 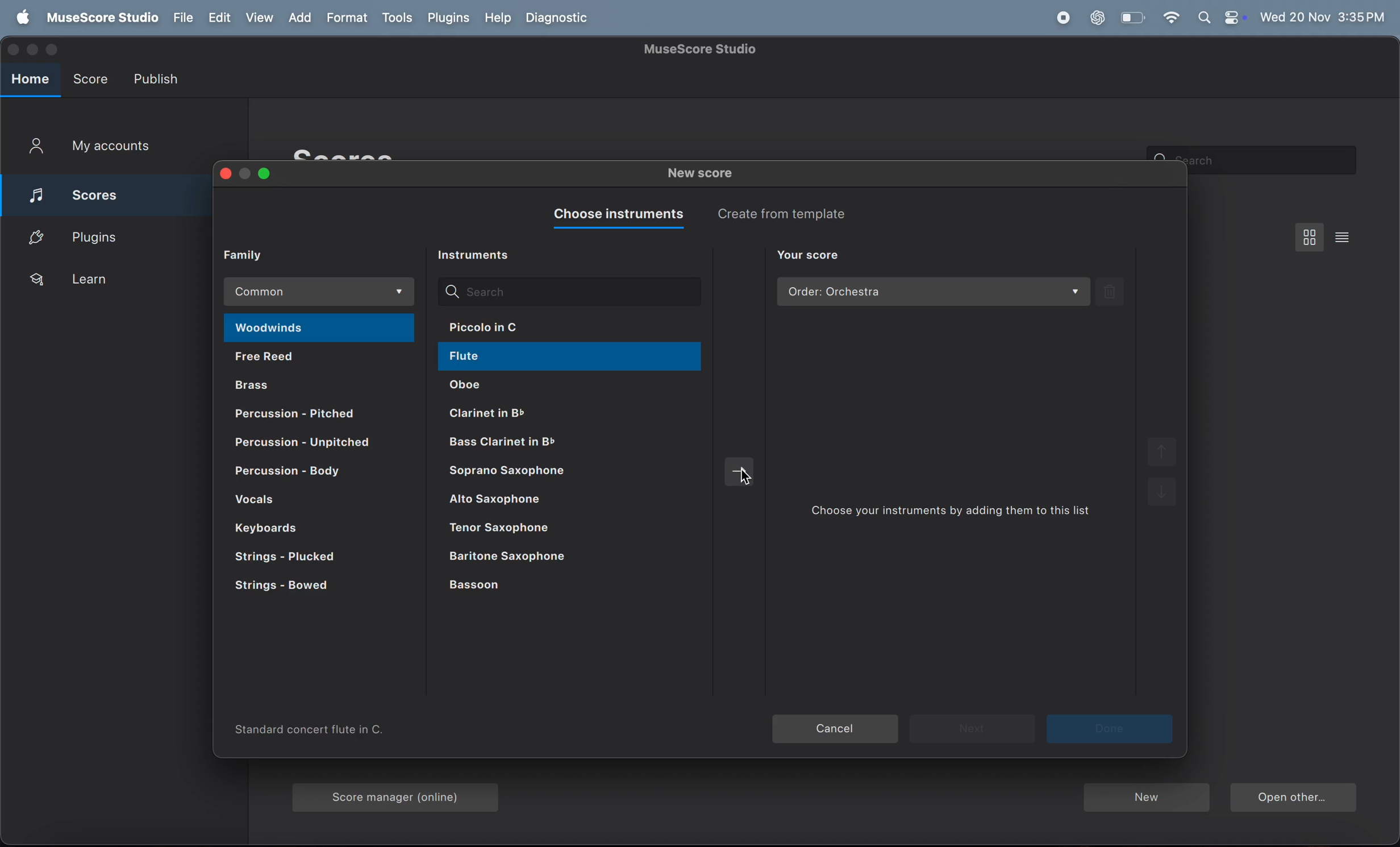 I want to click on alto saxophone, so click(x=560, y=503).